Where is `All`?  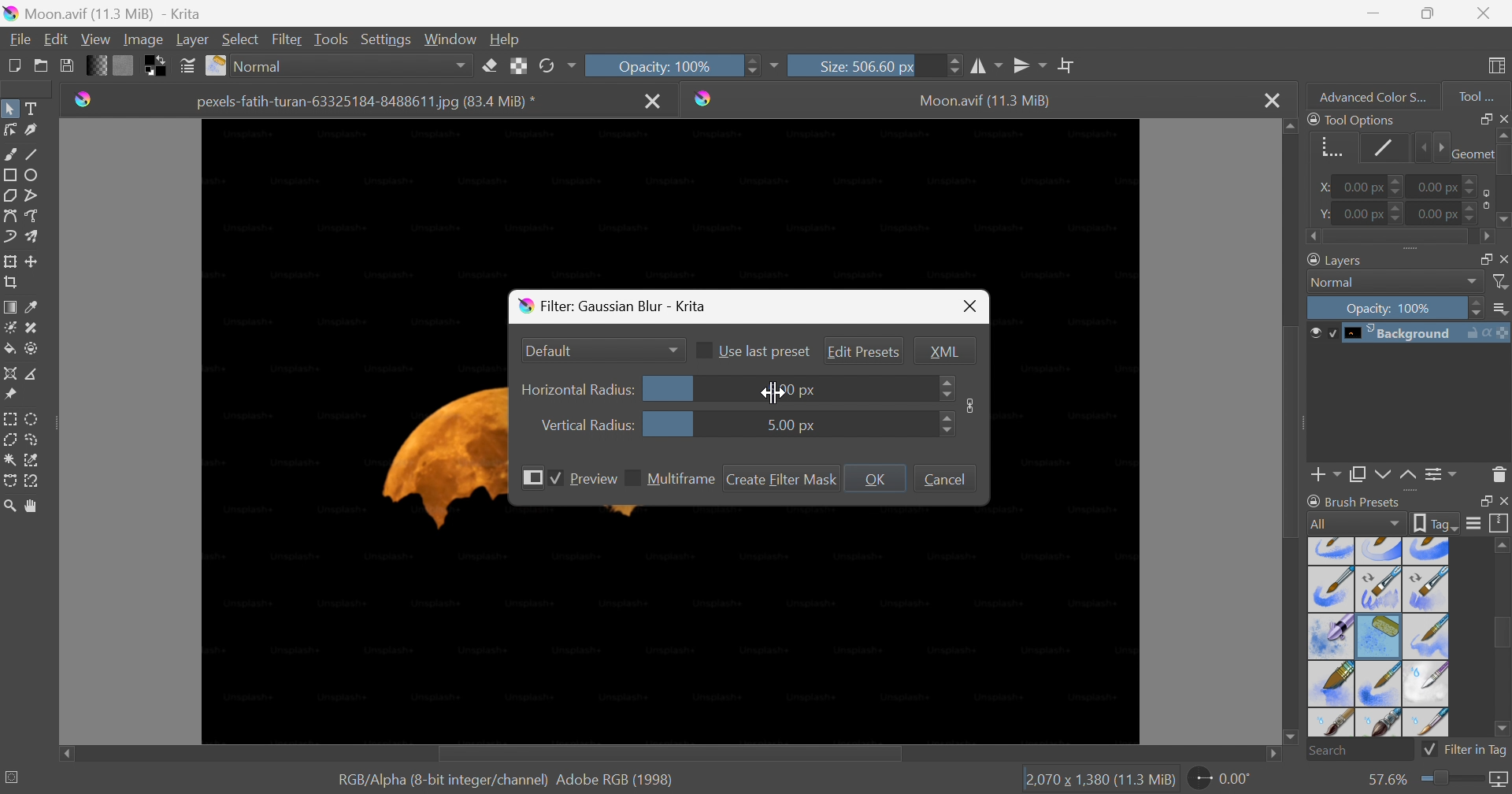 All is located at coordinates (1354, 525).